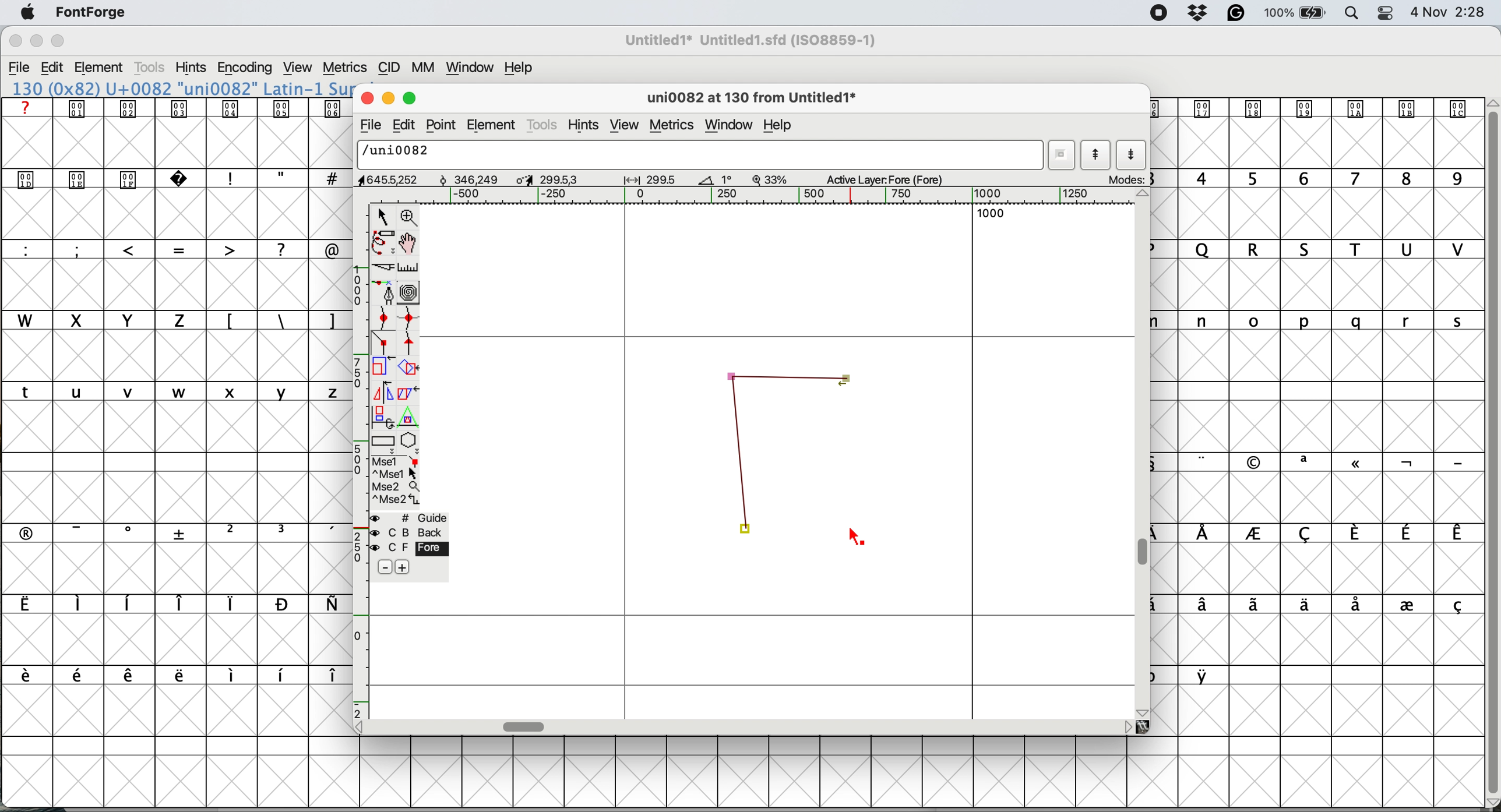 The image size is (1501, 812). I want to click on add, so click(401, 567).